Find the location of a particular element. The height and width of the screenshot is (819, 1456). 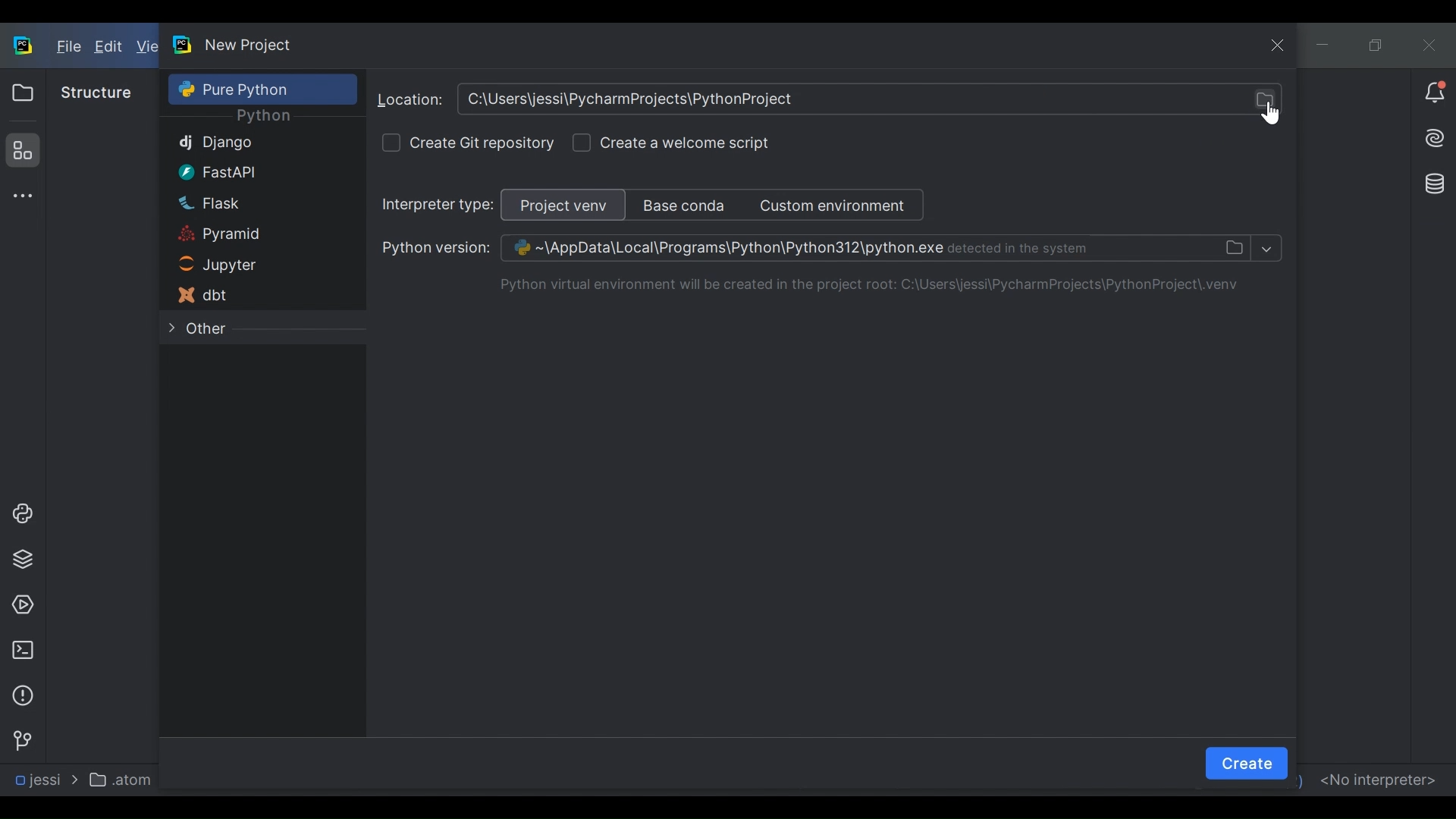

Notiication is located at coordinates (1435, 93).